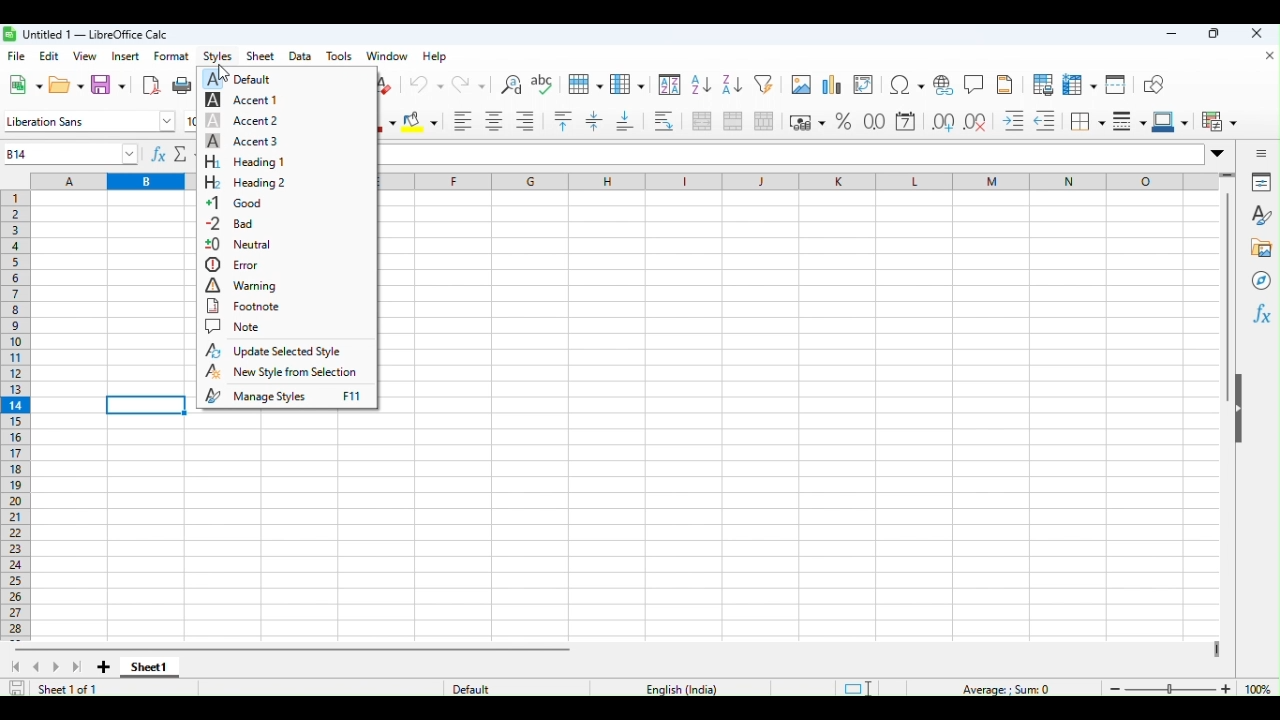 The image size is (1280, 720). I want to click on Format as decimal, so click(876, 120).